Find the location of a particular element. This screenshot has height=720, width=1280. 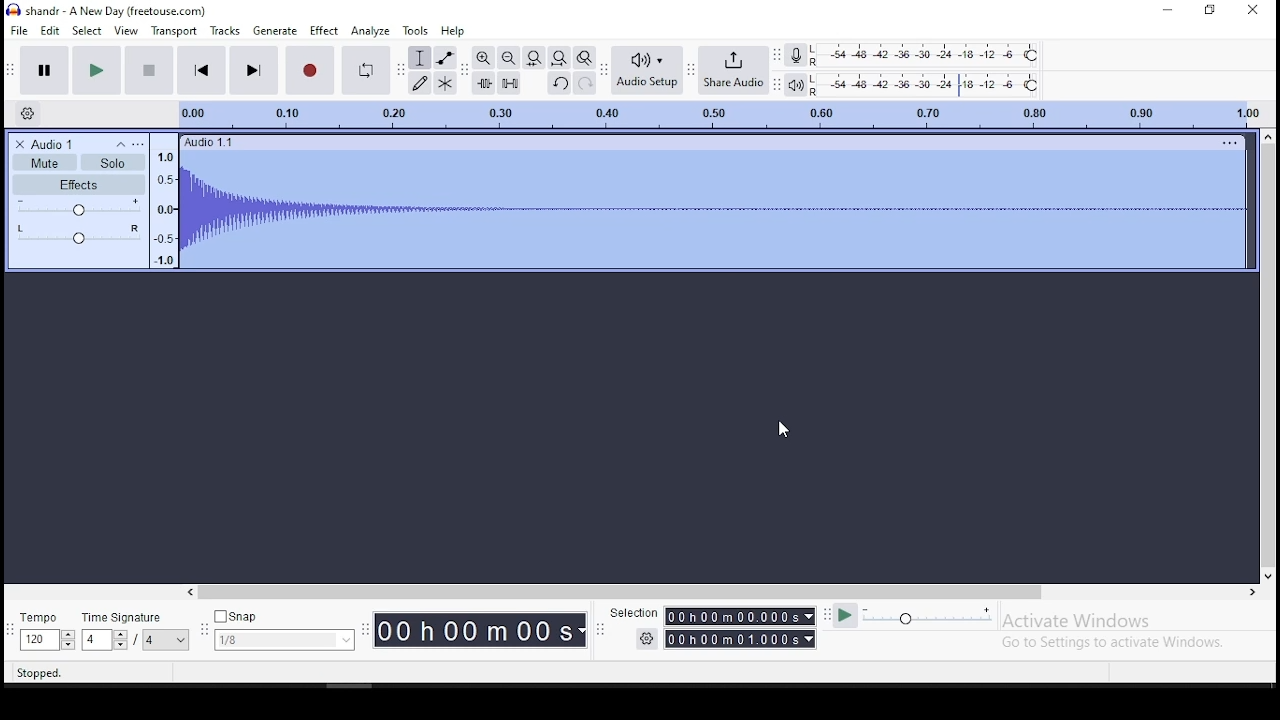

redo is located at coordinates (587, 83).